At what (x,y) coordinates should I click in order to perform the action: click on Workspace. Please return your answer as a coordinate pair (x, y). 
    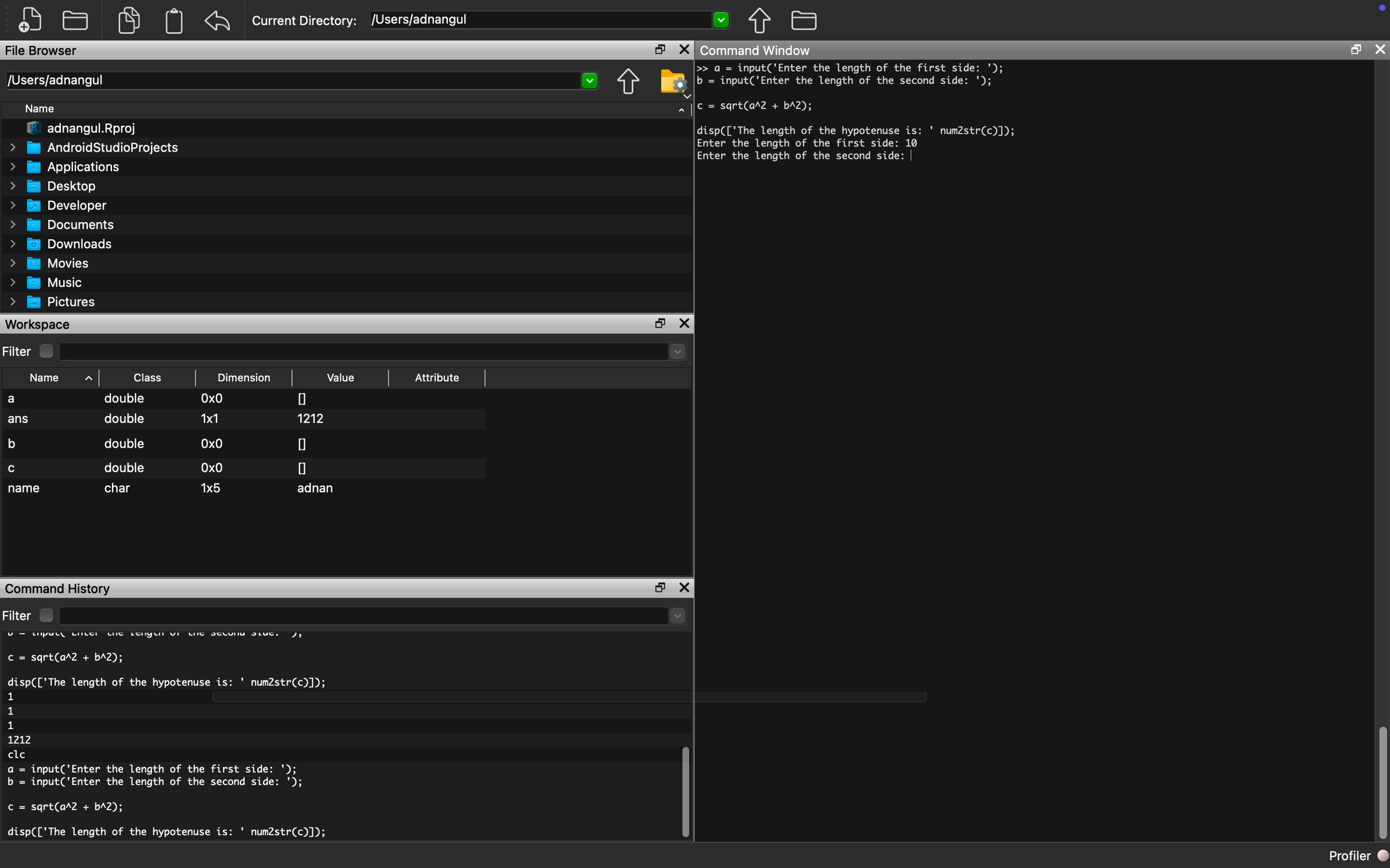
    Looking at the image, I should click on (40, 324).